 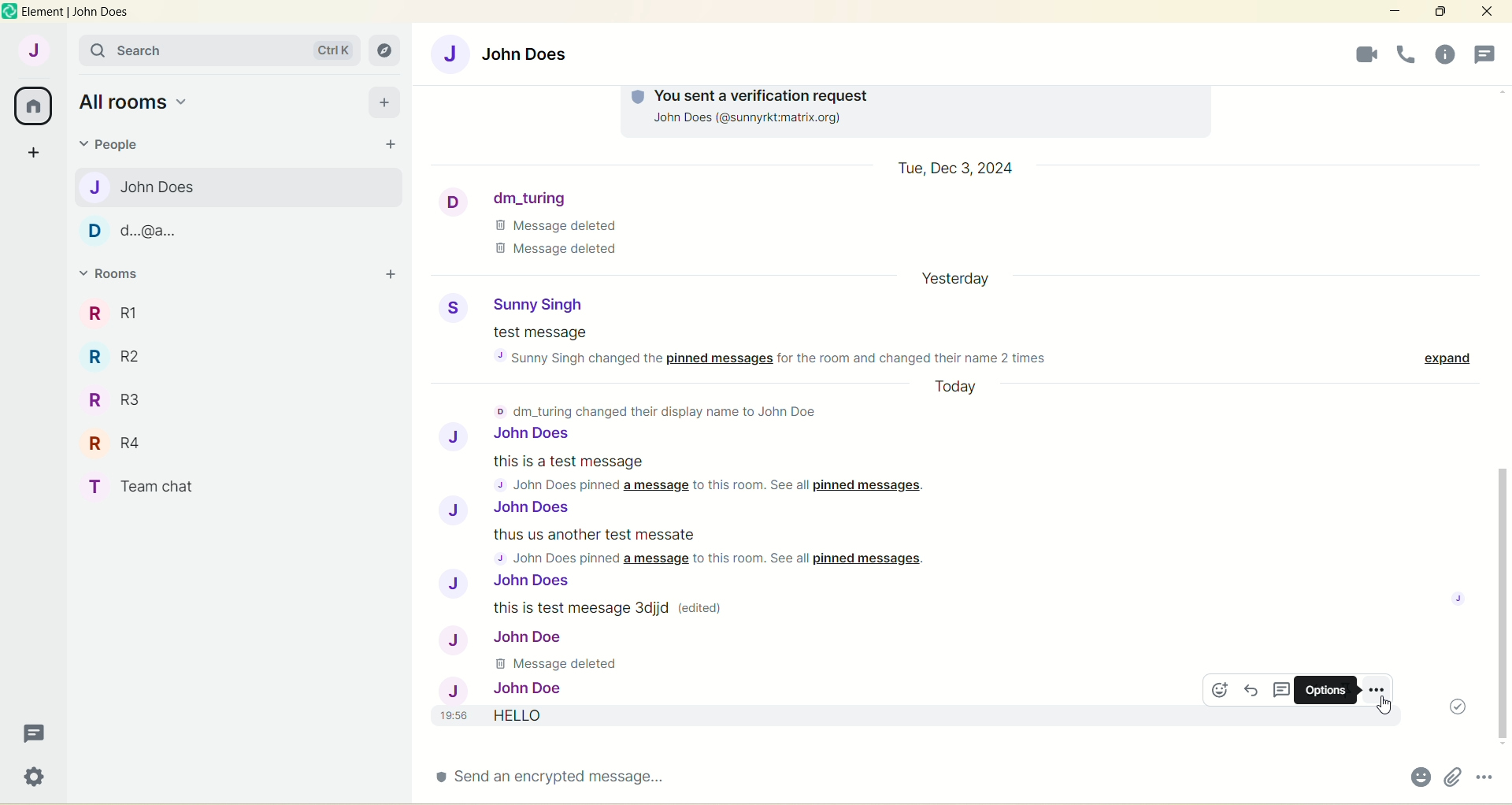 What do you see at coordinates (32, 778) in the screenshot?
I see `quick settings` at bounding box center [32, 778].